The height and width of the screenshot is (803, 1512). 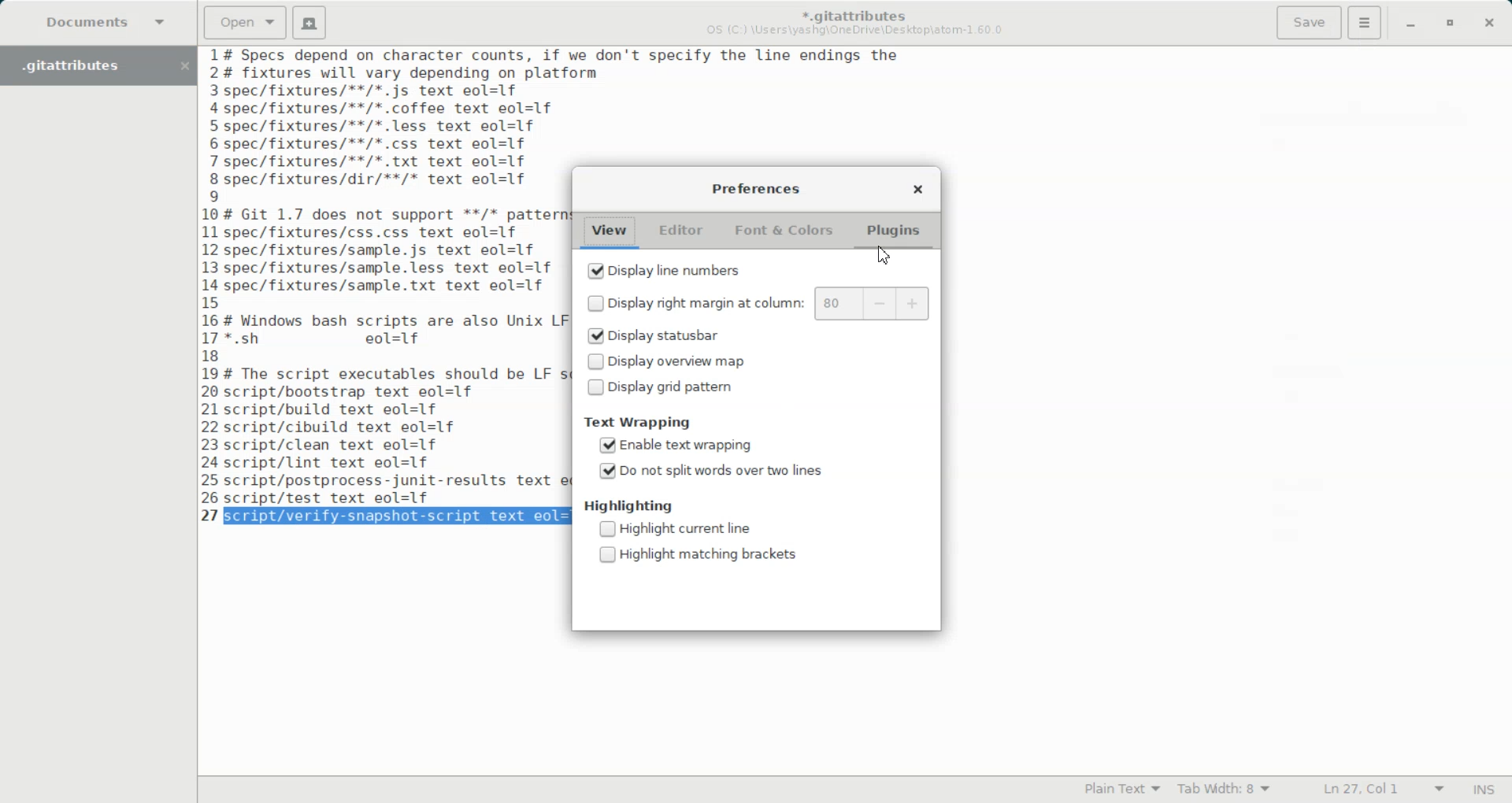 I want to click on Save, so click(x=1308, y=23).